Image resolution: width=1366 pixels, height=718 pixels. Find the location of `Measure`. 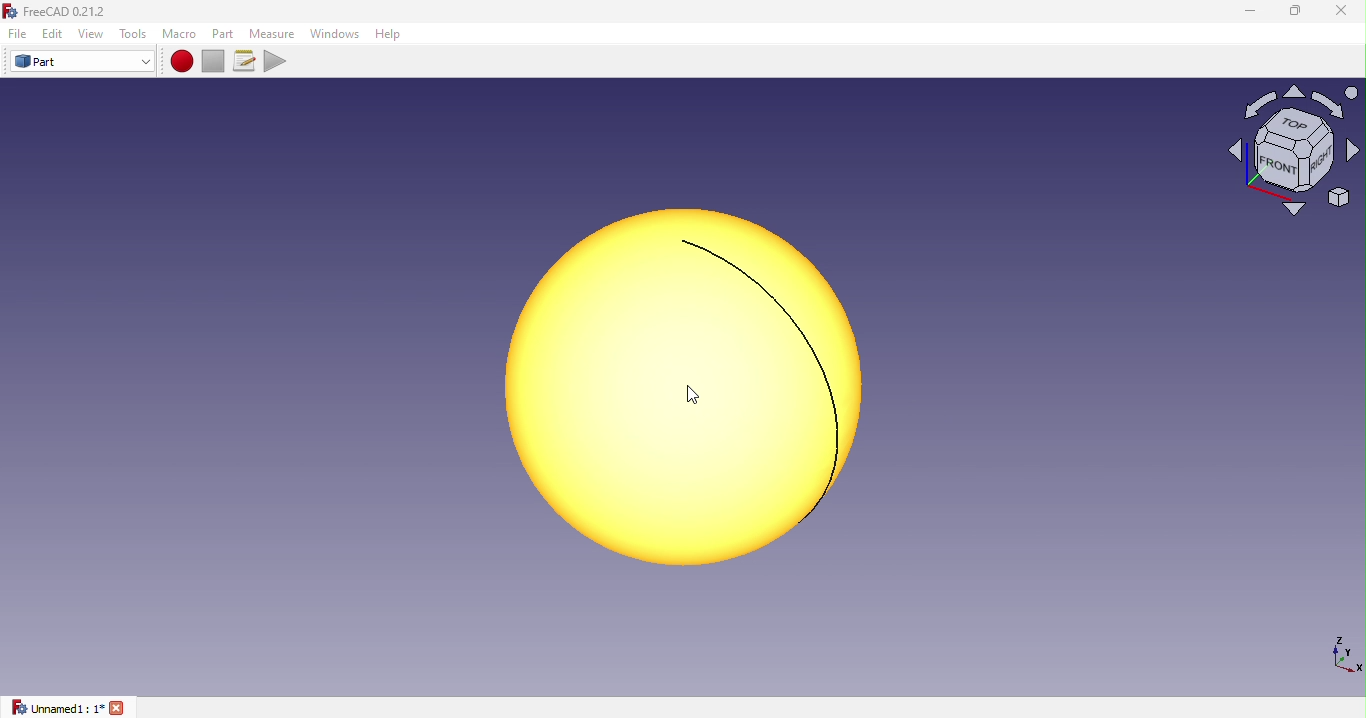

Measure is located at coordinates (272, 32).